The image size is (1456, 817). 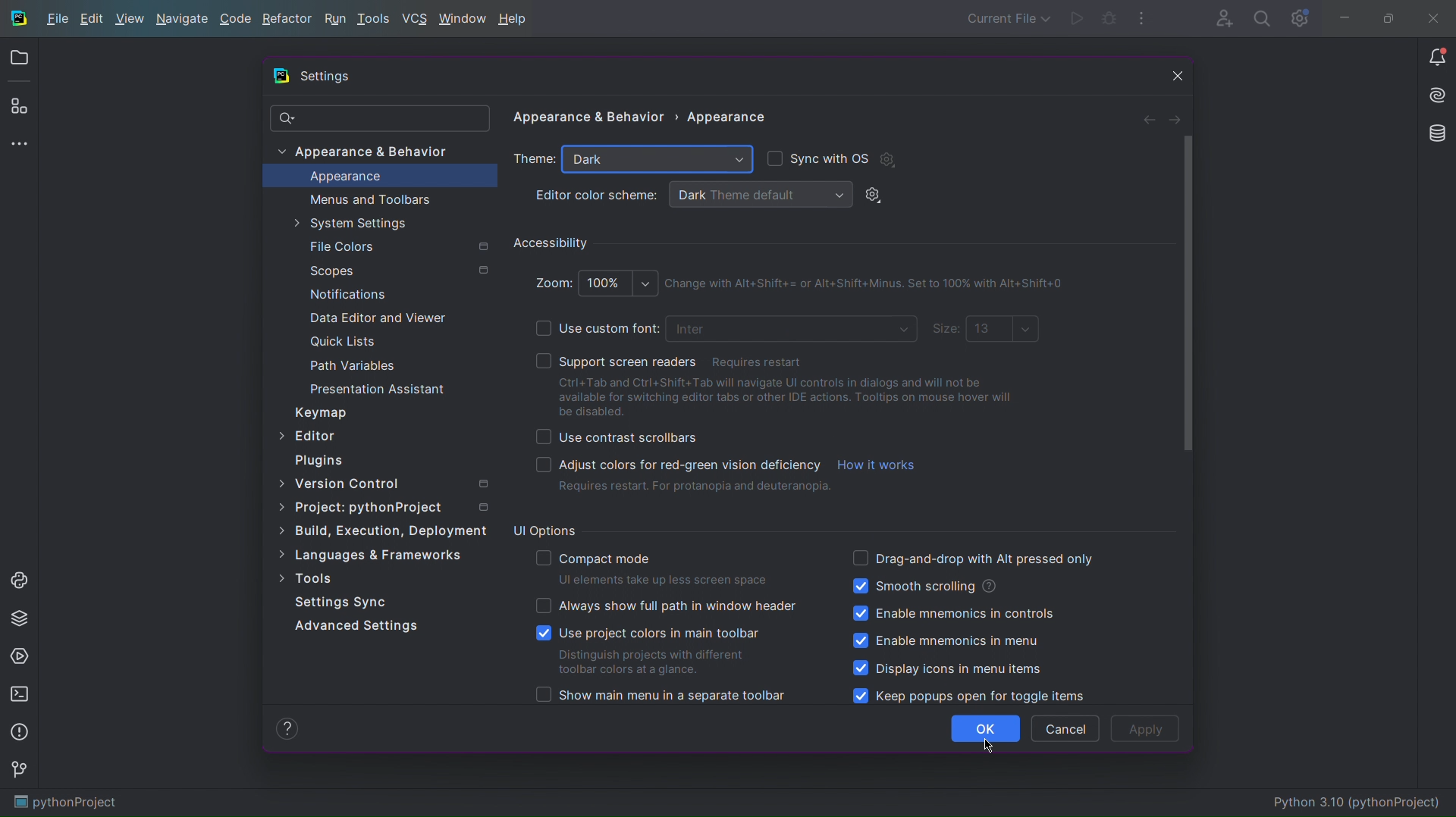 I want to click on Install AI assistant, so click(x=1437, y=93).